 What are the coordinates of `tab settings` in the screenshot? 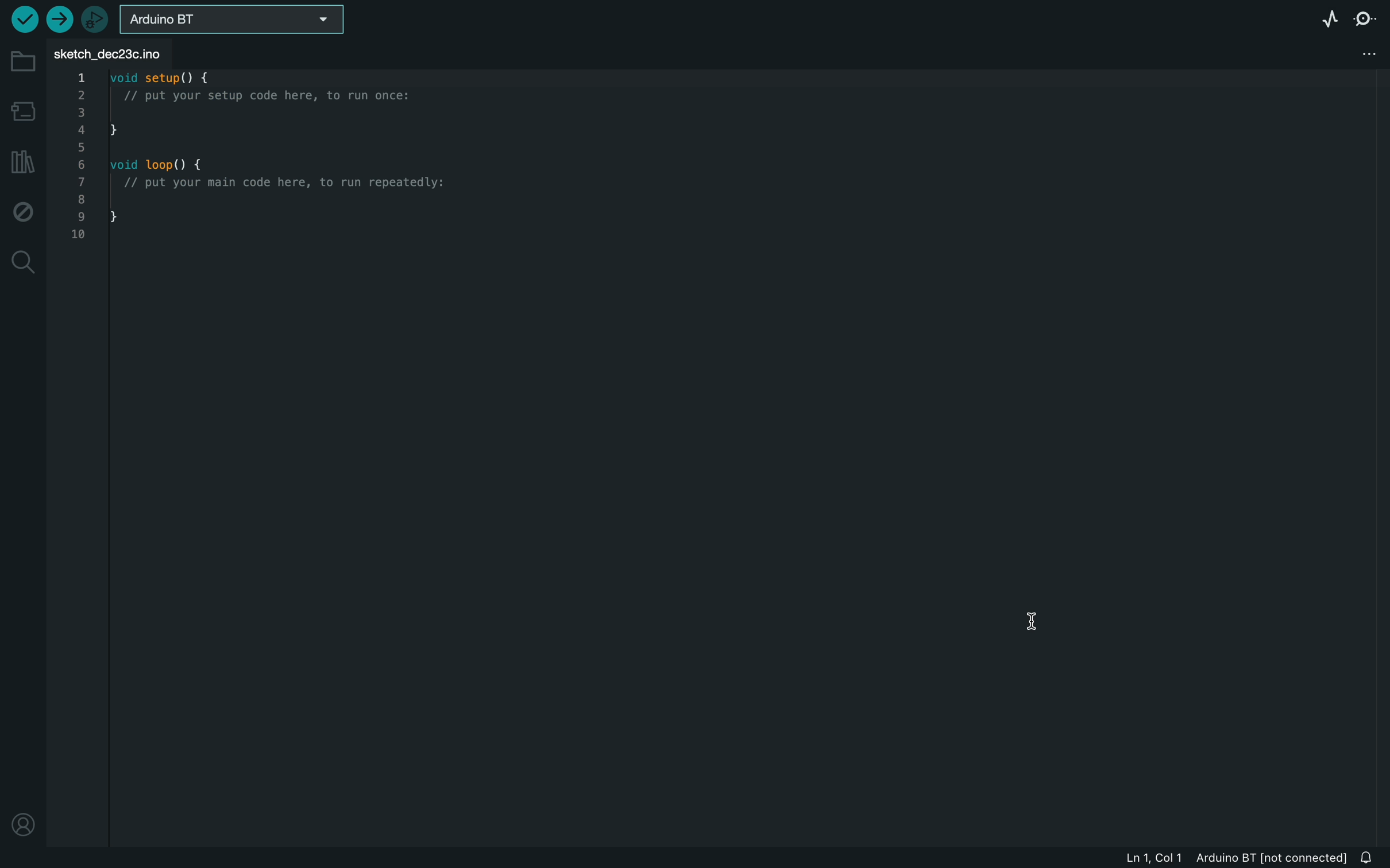 It's located at (1365, 57).